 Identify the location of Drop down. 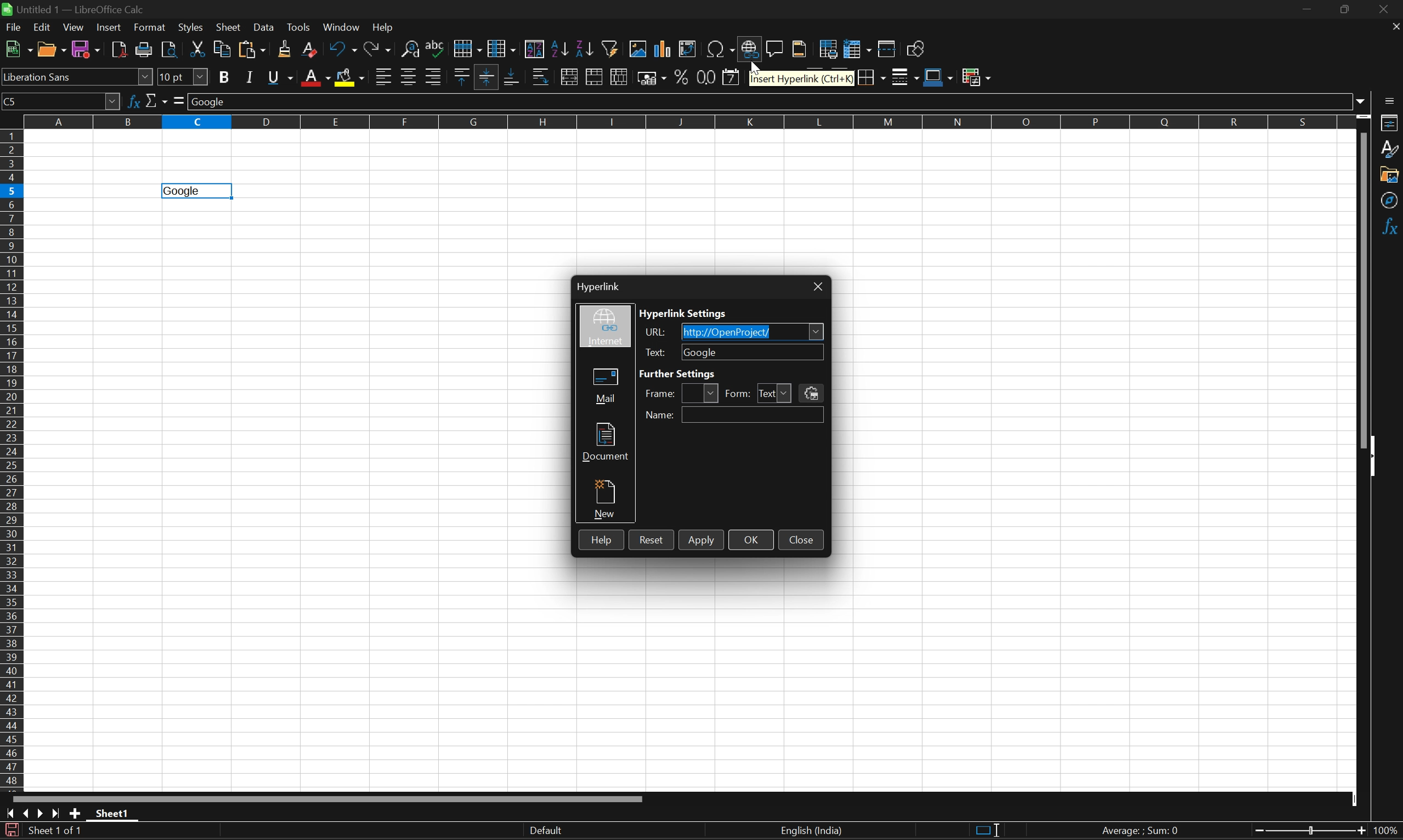
(713, 393).